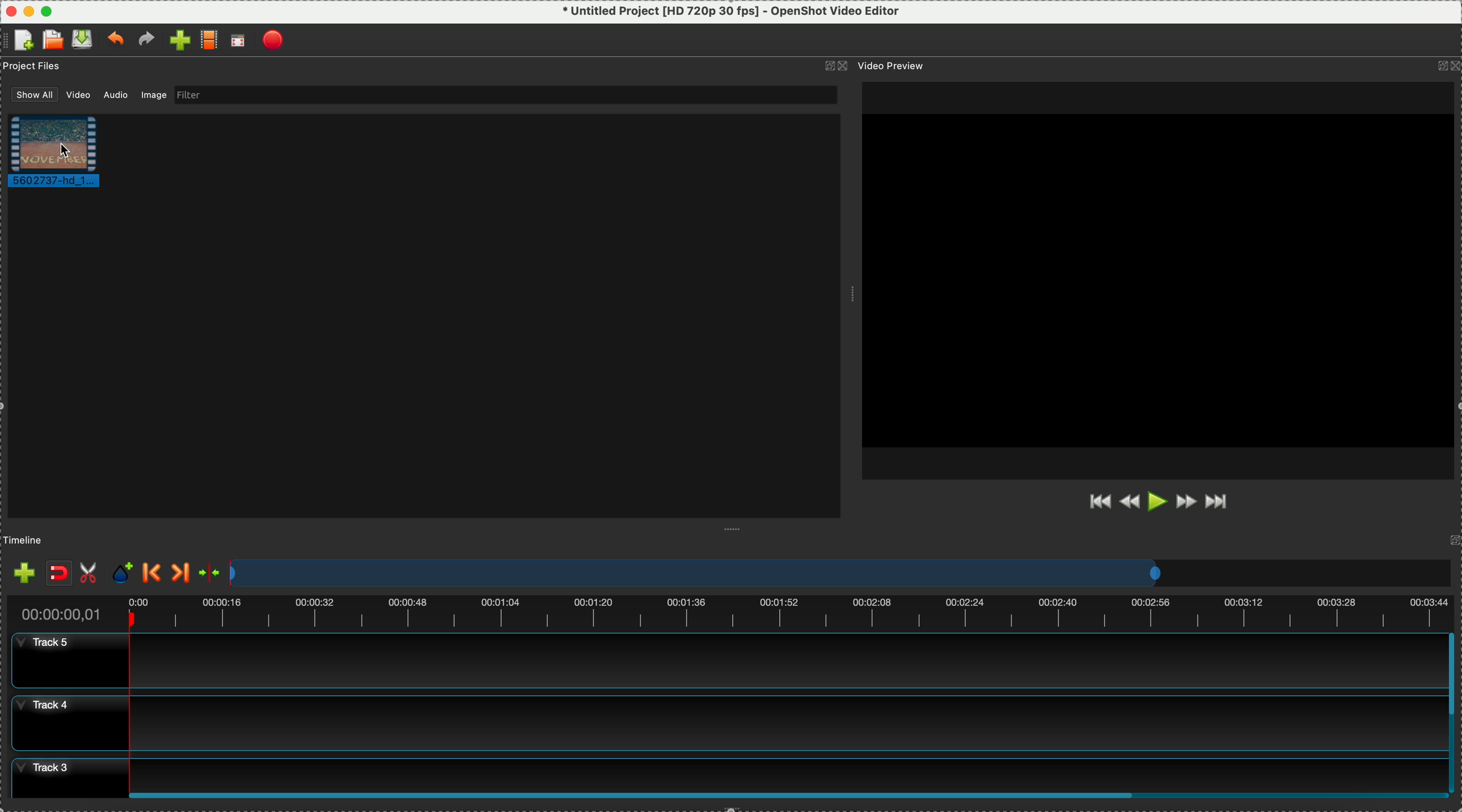 The width and height of the screenshot is (1462, 812). Describe the element at coordinates (21, 570) in the screenshot. I see `import files` at that location.